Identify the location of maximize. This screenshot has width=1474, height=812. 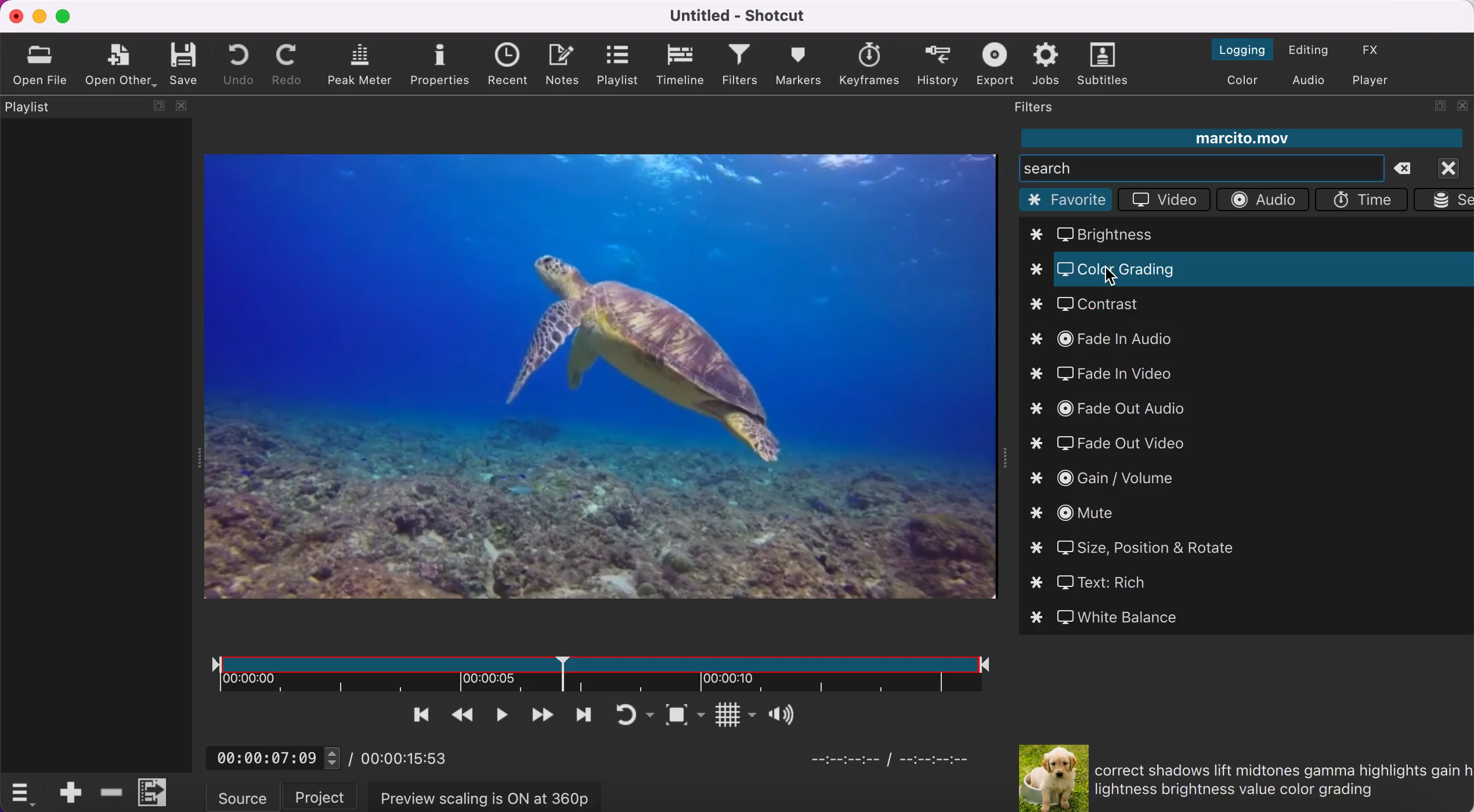
(68, 17).